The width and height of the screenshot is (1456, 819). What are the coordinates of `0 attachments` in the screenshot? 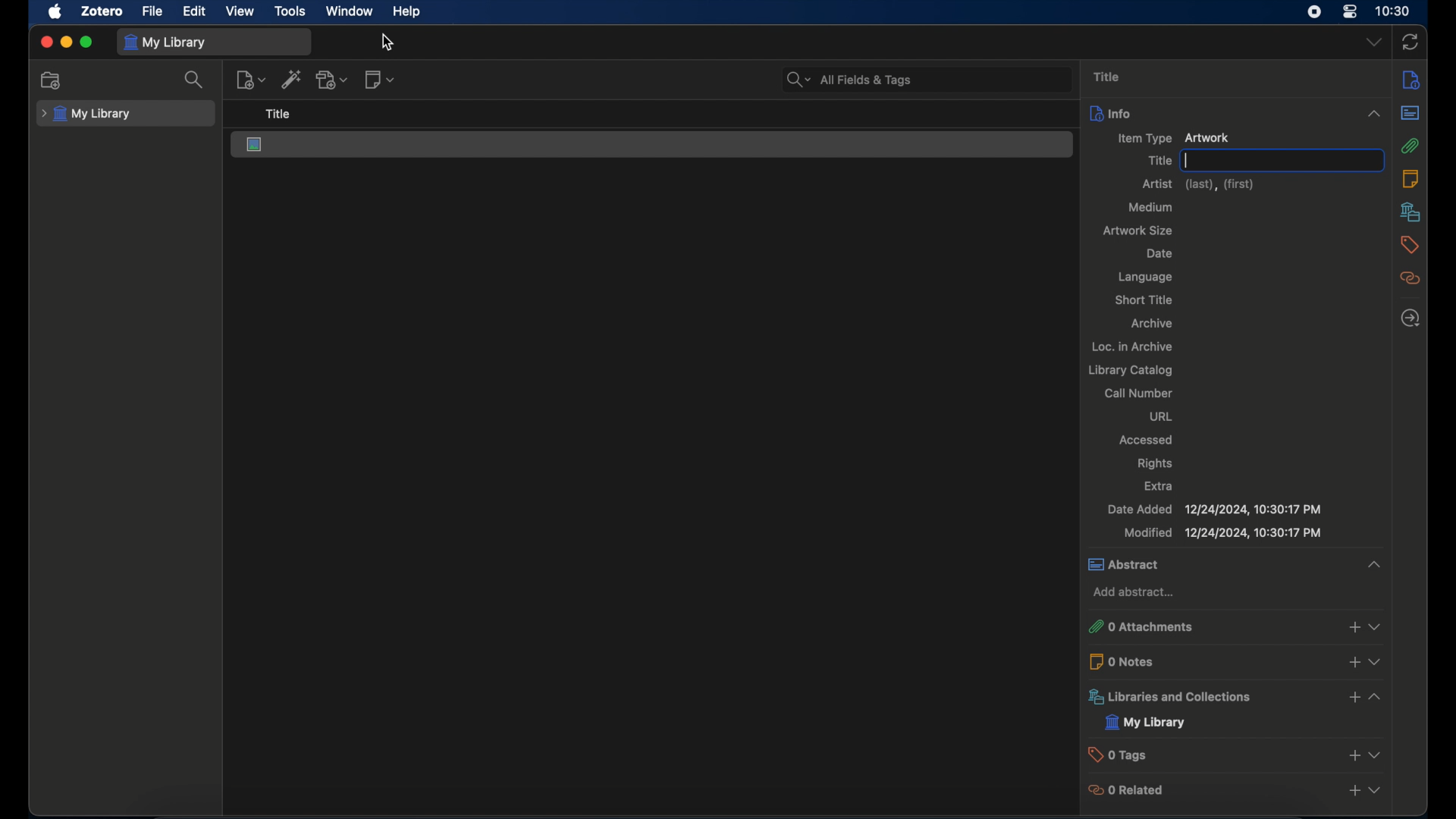 It's located at (1152, 626).